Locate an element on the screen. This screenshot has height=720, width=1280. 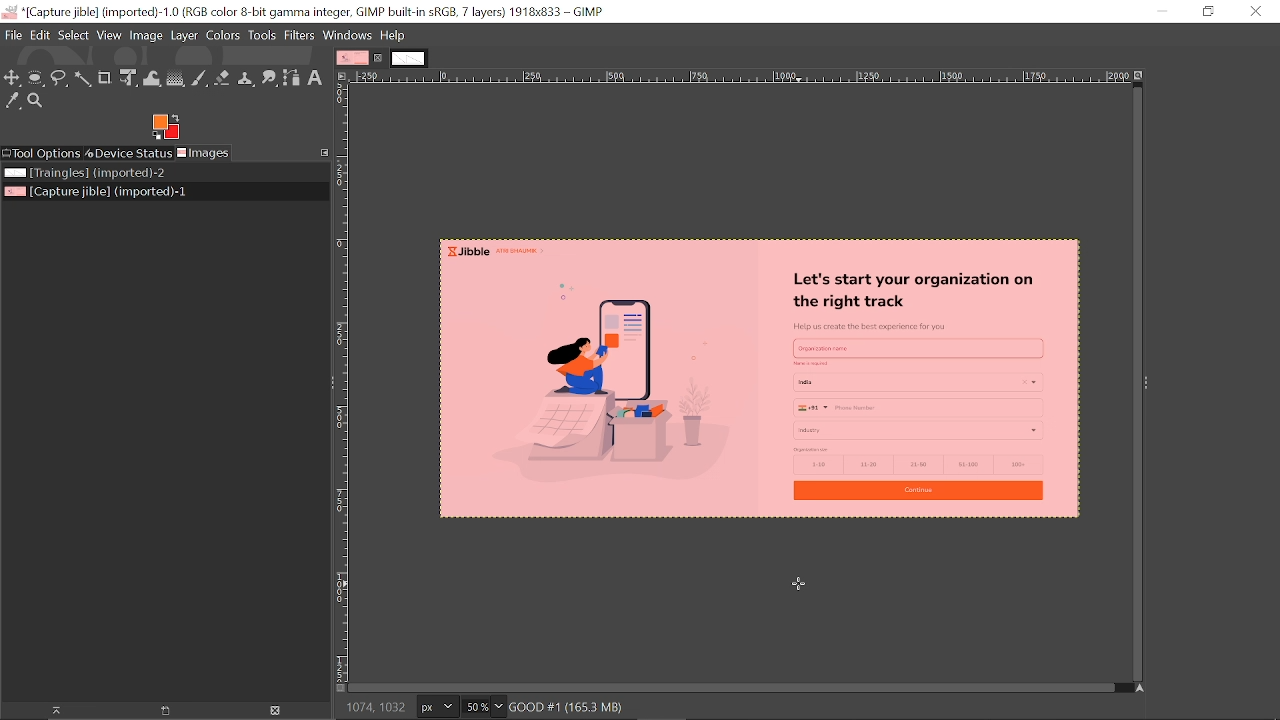
Image file titled "Triangles" is located at coordinates (108, 173).